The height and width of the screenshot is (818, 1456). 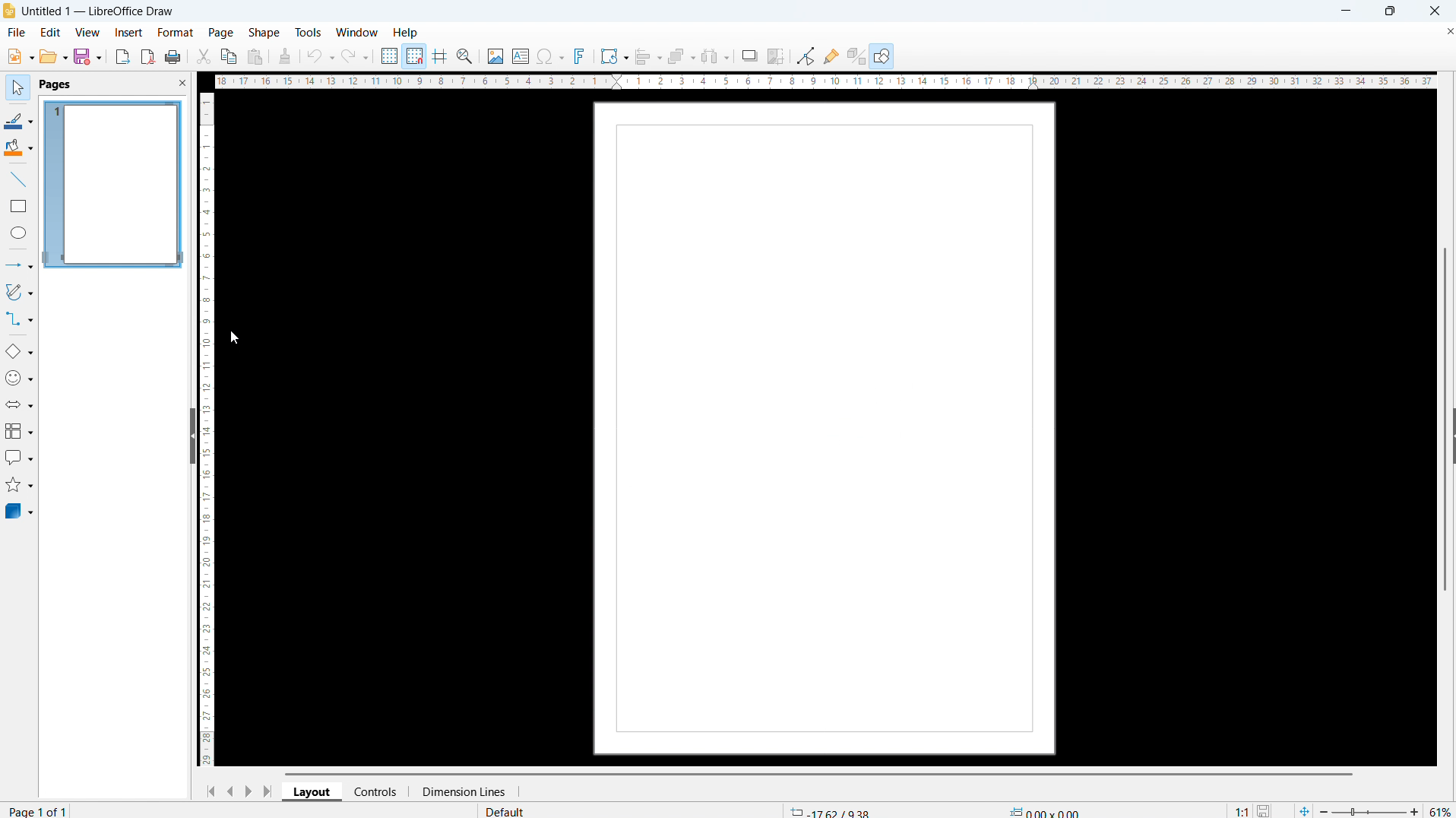 I want to click on Sidebar, so click(x=1447, y=436).